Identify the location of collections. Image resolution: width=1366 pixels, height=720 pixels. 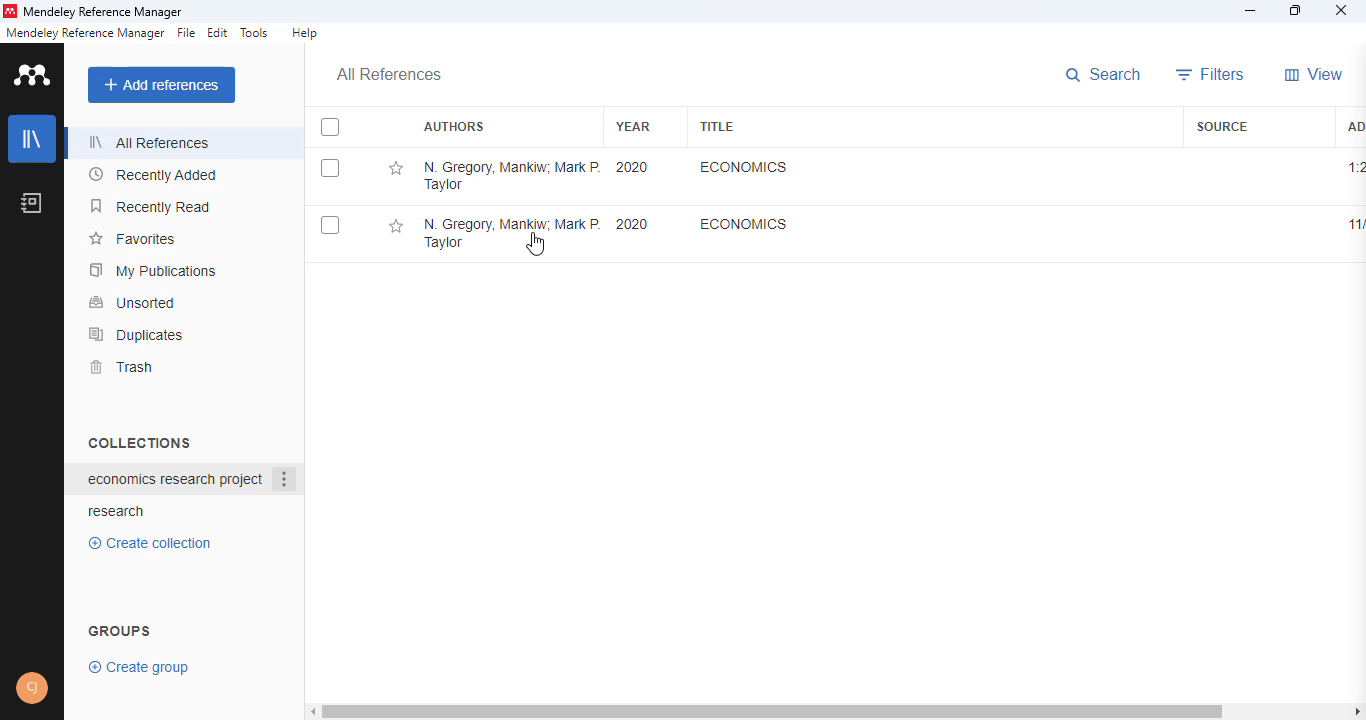
(139, 442).